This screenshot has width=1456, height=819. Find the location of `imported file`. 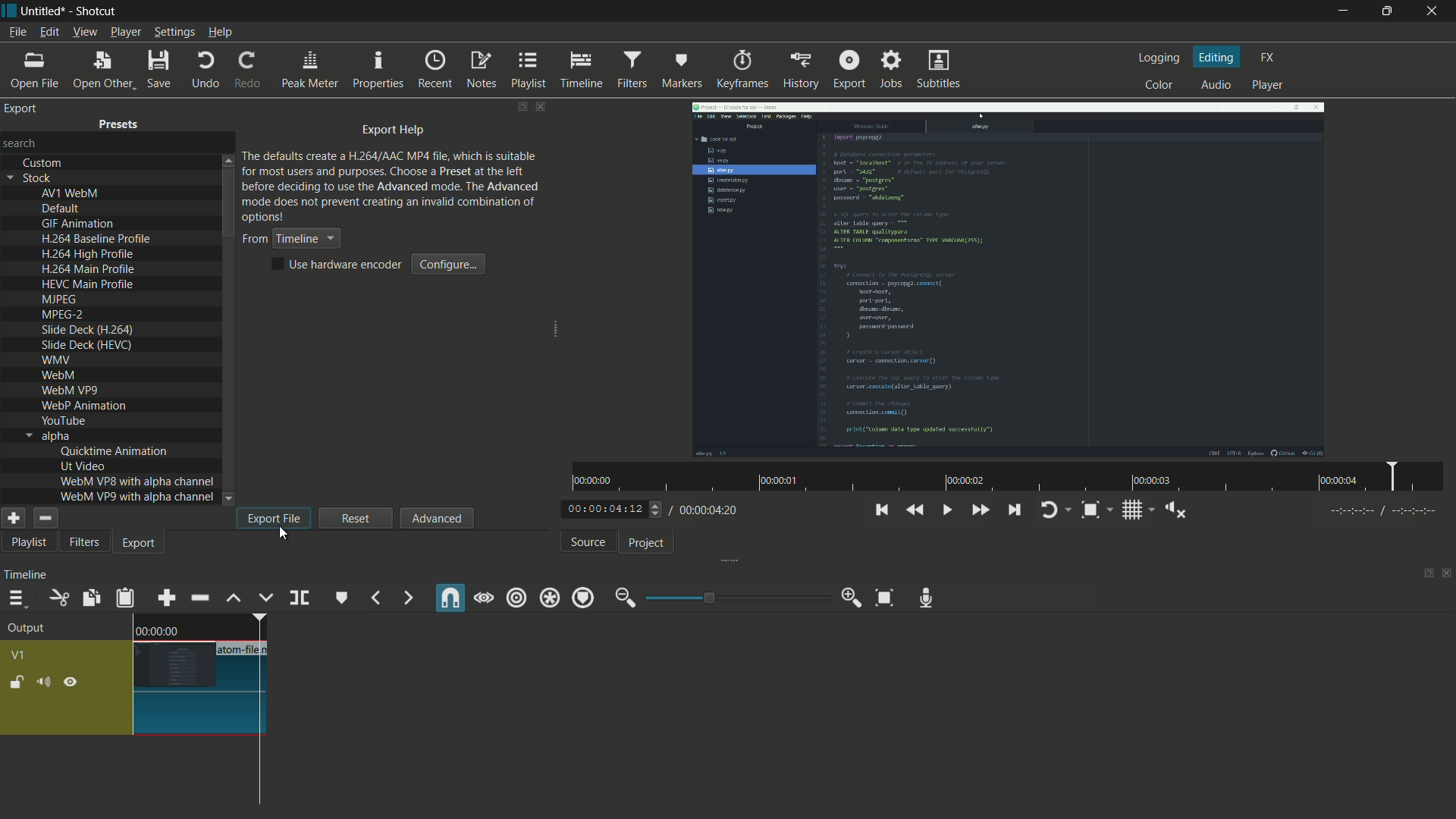

imported file is located at coordinates (1006, 281).